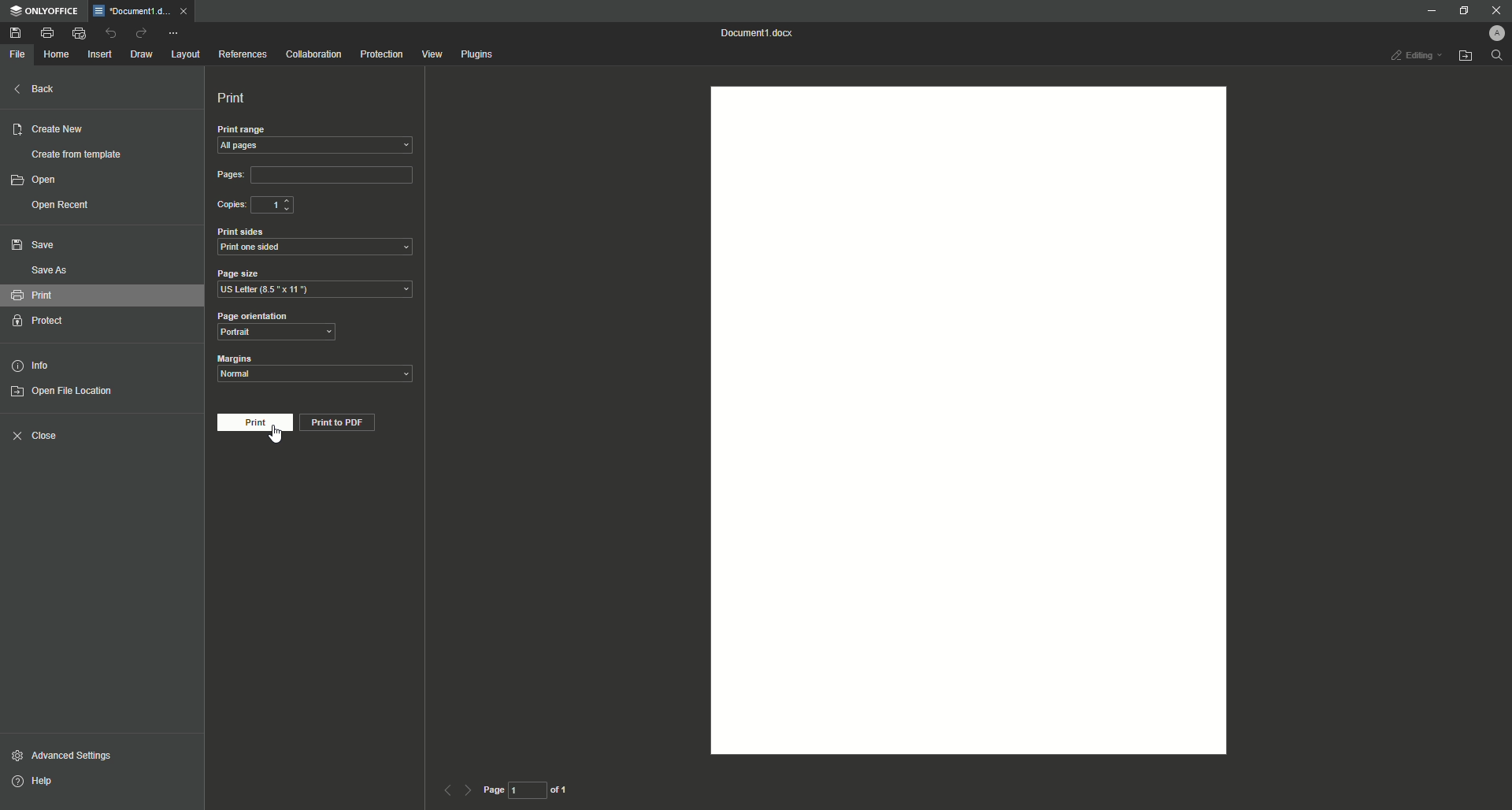  Describe the element at coordinates (142, 55) in the screenshot. I see `Draw` at that location.